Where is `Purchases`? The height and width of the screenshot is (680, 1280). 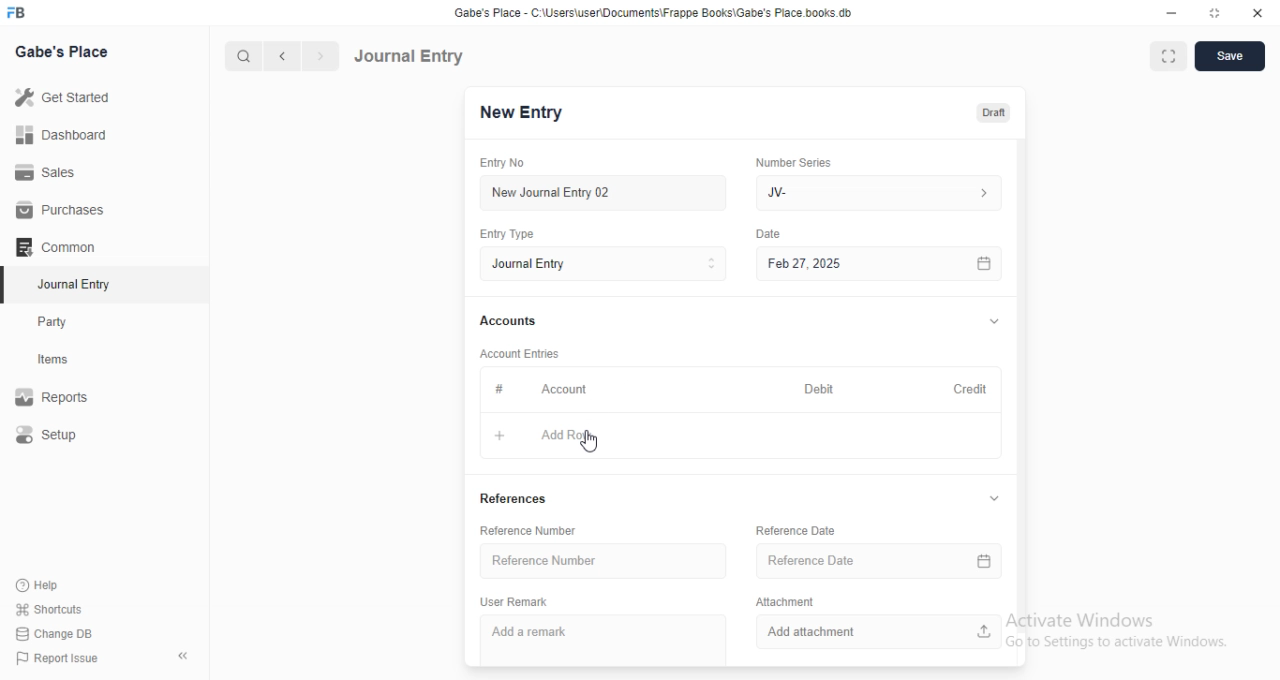 Purchases is located at coordinates (56, 208).